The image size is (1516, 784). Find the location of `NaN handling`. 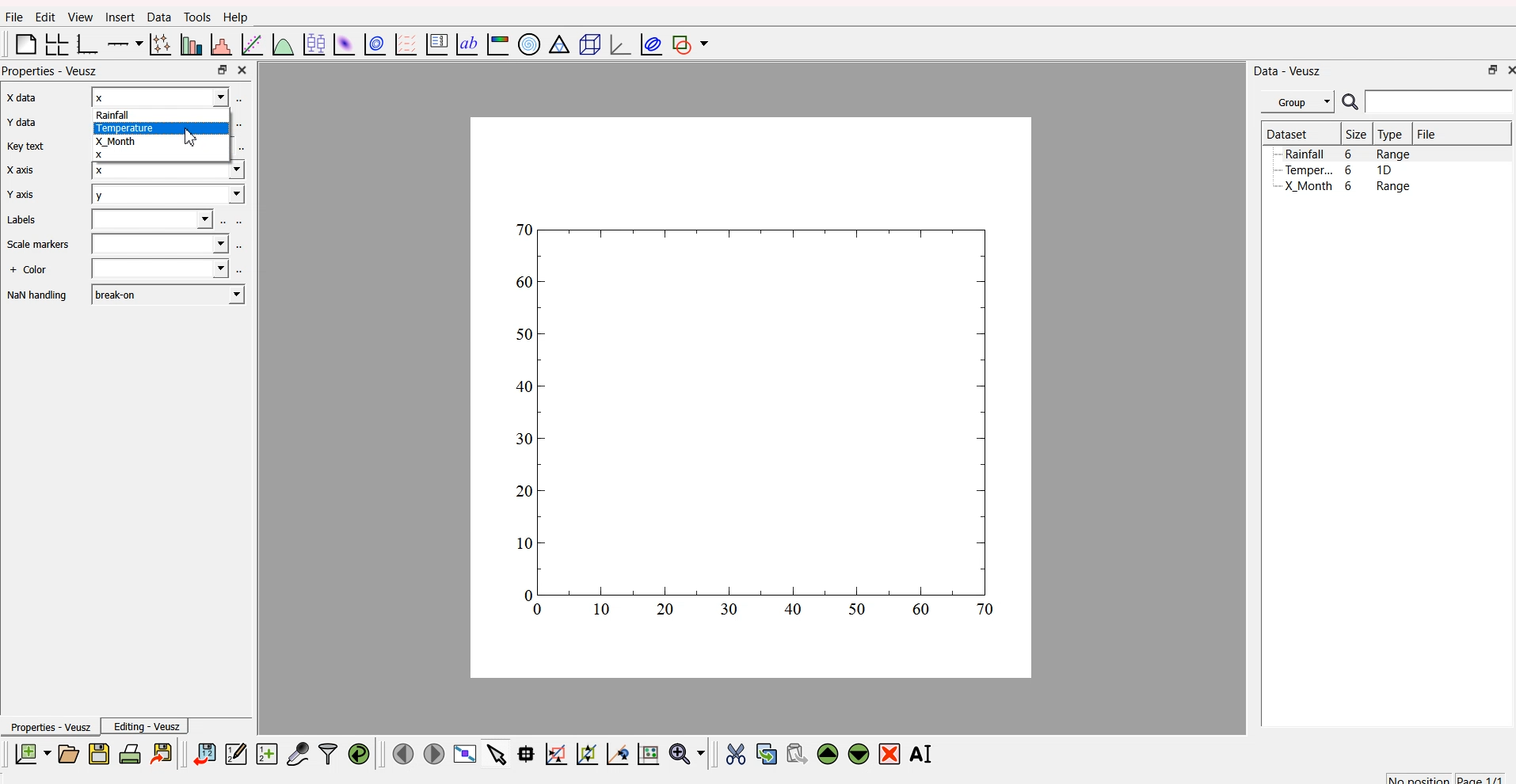

NaN handling is located at coordinates (38, 296).